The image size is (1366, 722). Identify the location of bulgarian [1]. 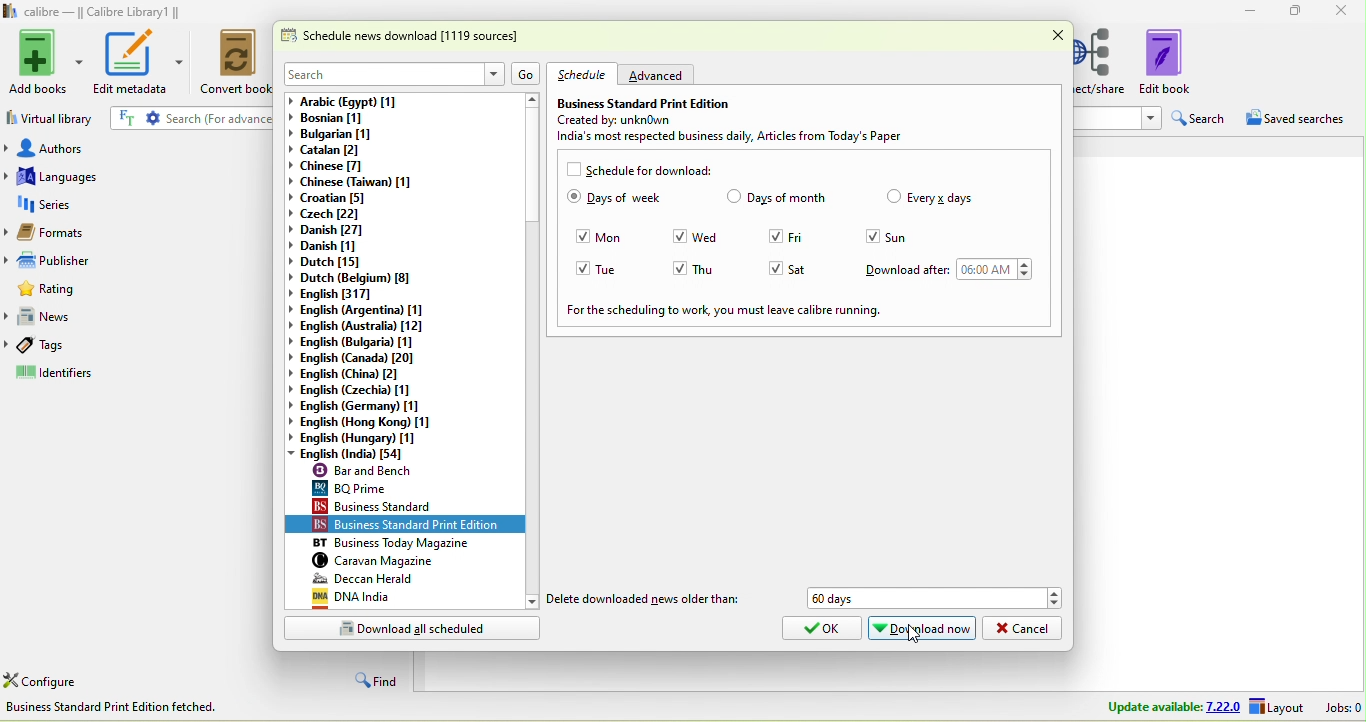
(343, 136).